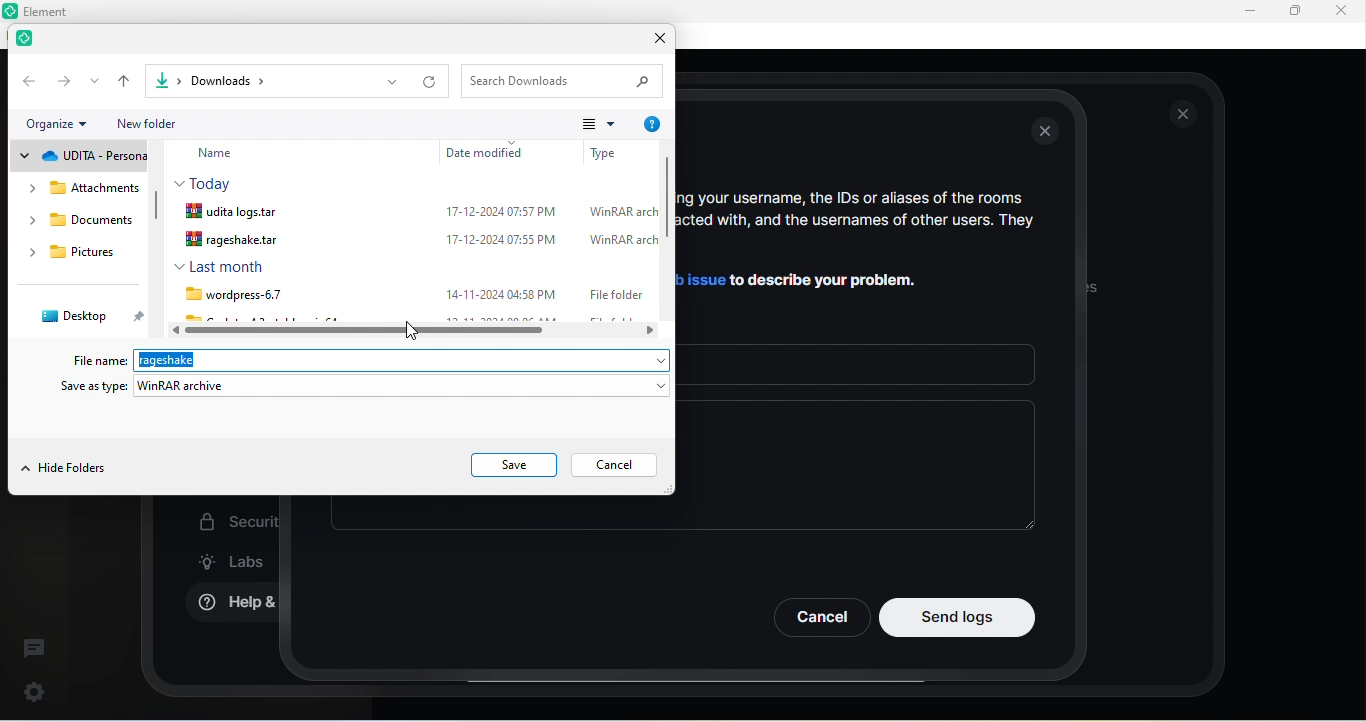 The height and width of the screenshot is (722, 1366). What do you see at coordinates (651, 125) in the screenshot?
I see `help` at bounding box center [651, 125].